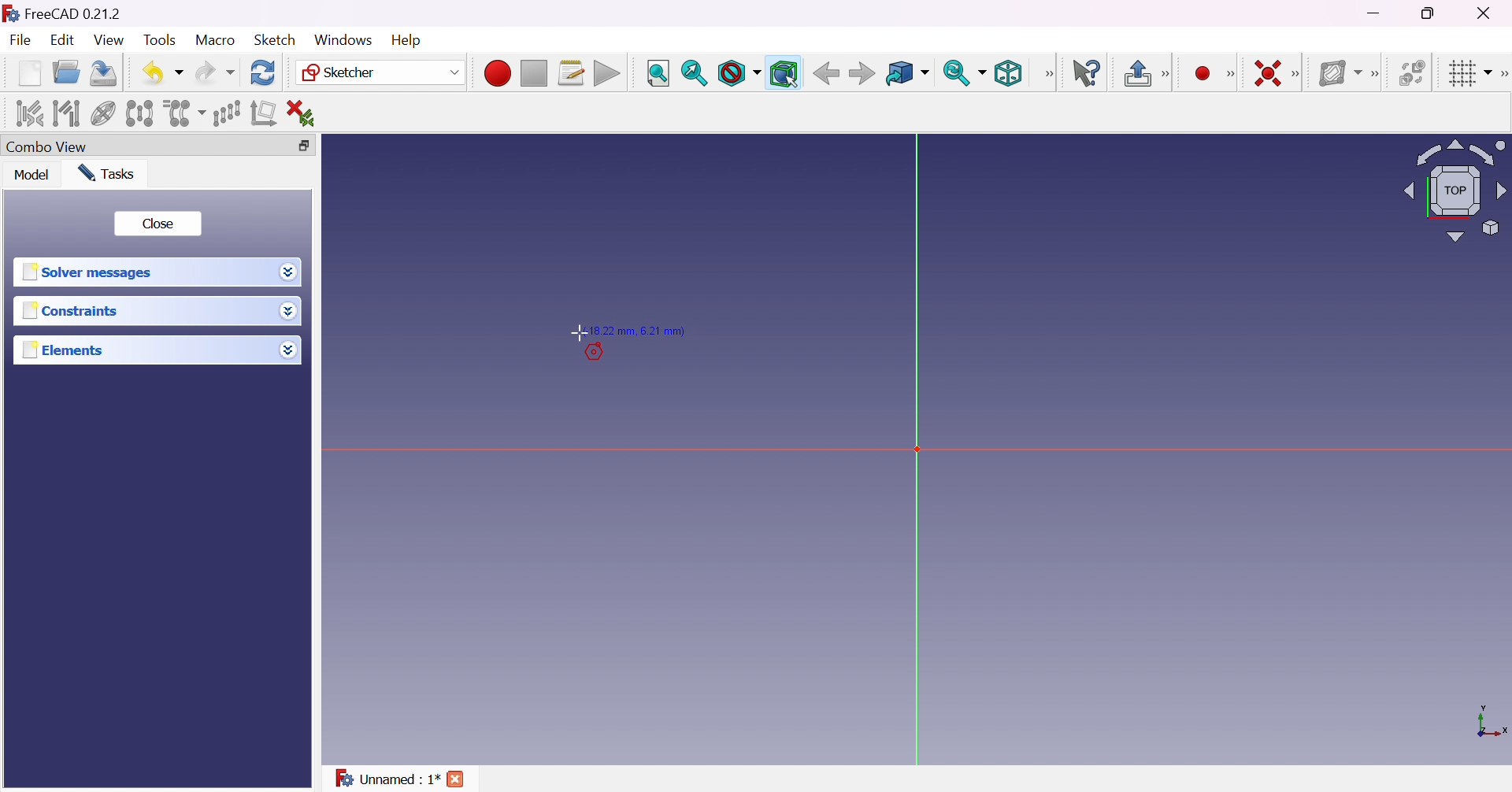 Image resolution: width=1512 pixels, height=792 pixels. I want to click on Toggle grid, so click(1471, 74).